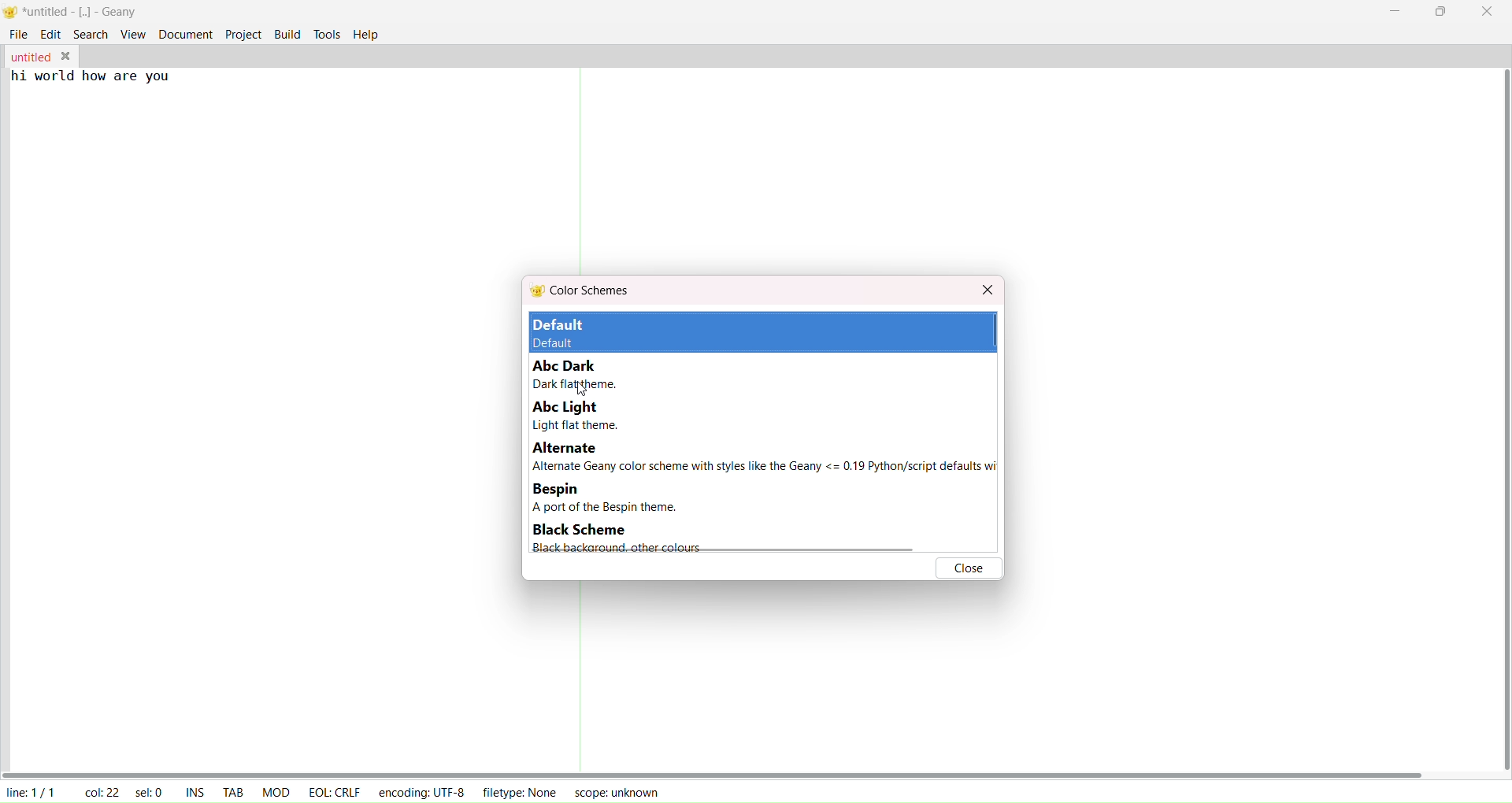 This screenshot has width=1512, height=803. I want to click on column, so click(100, 790).